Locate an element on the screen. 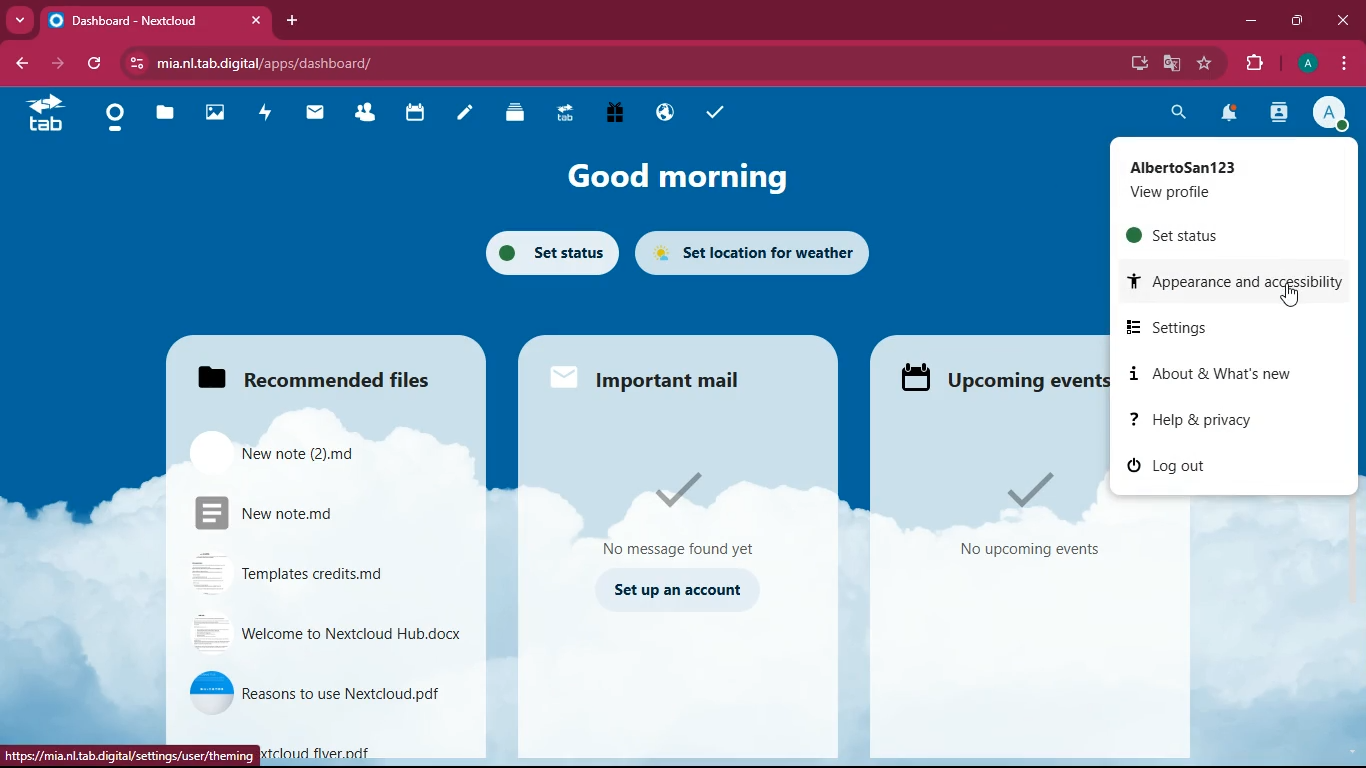 The width and height of the screenshot is (1366, 768). calendar is located at coordinates (415, 114).